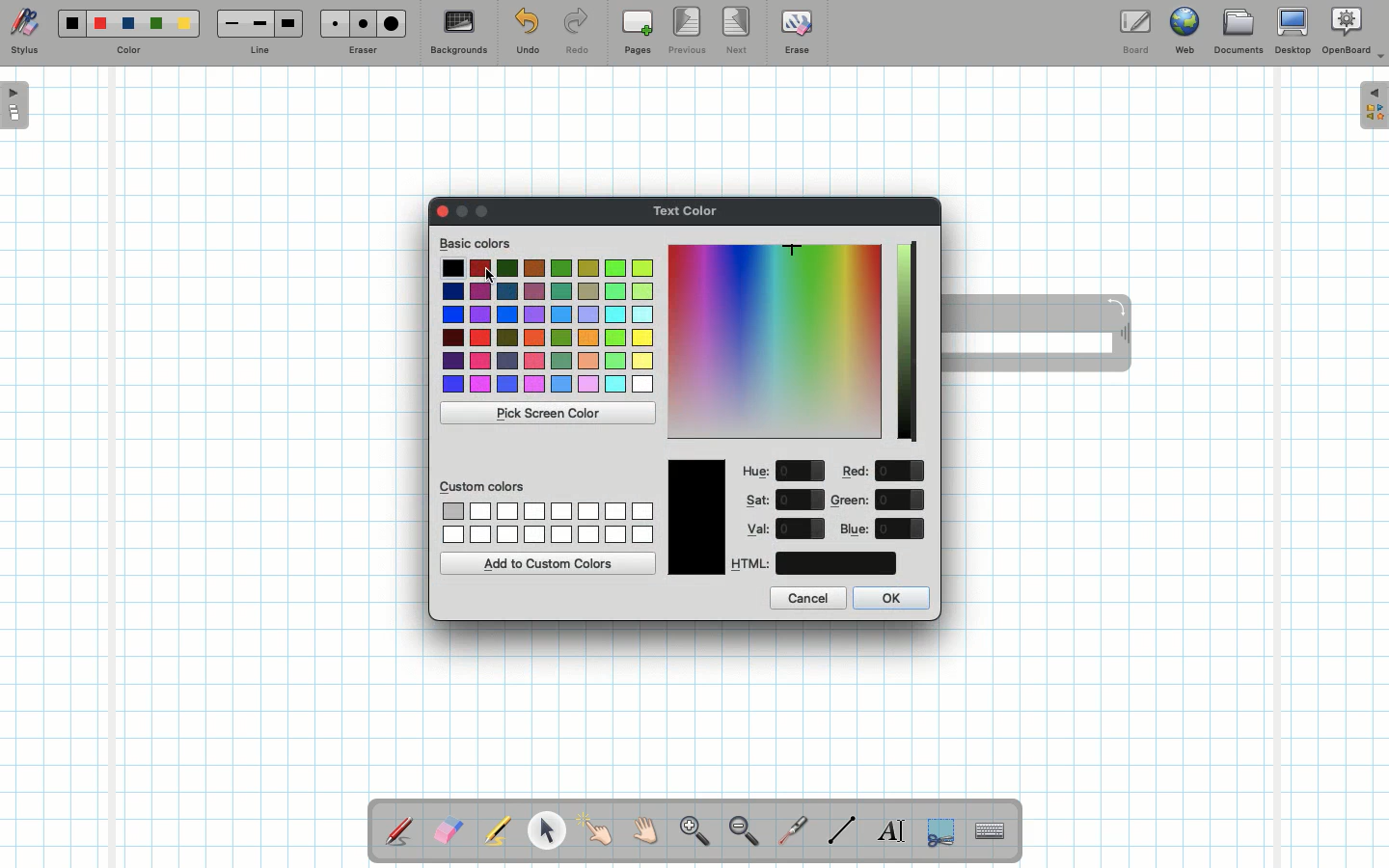 This screenshot has height=868, width=1389. Describe the element at coordinates (901, 472) in the screenshot. I see `value` at that location.